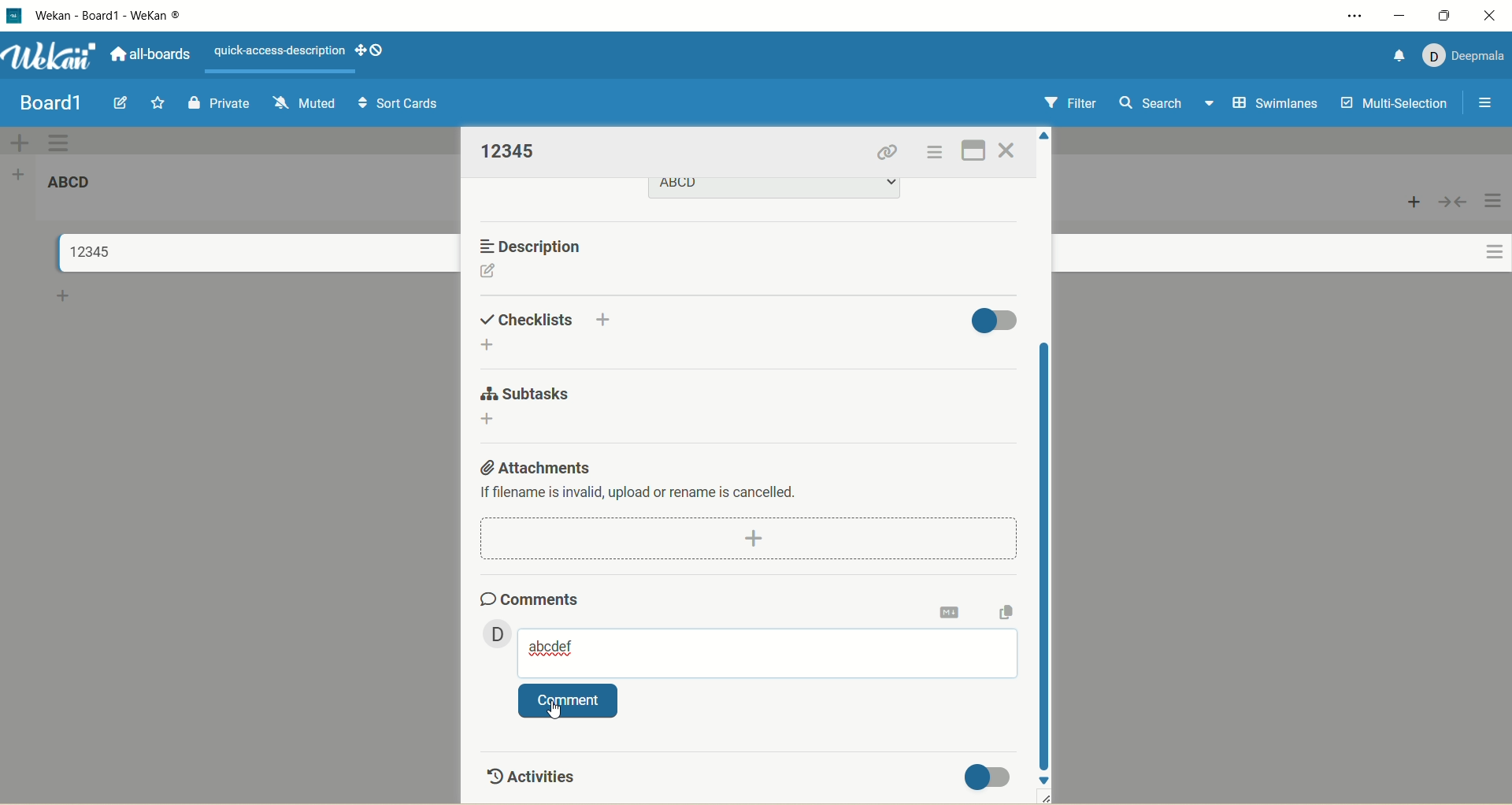  What do you see at coordinates (511, 150) in the screenshot?
I see `title` at bounding box center [511, 150].